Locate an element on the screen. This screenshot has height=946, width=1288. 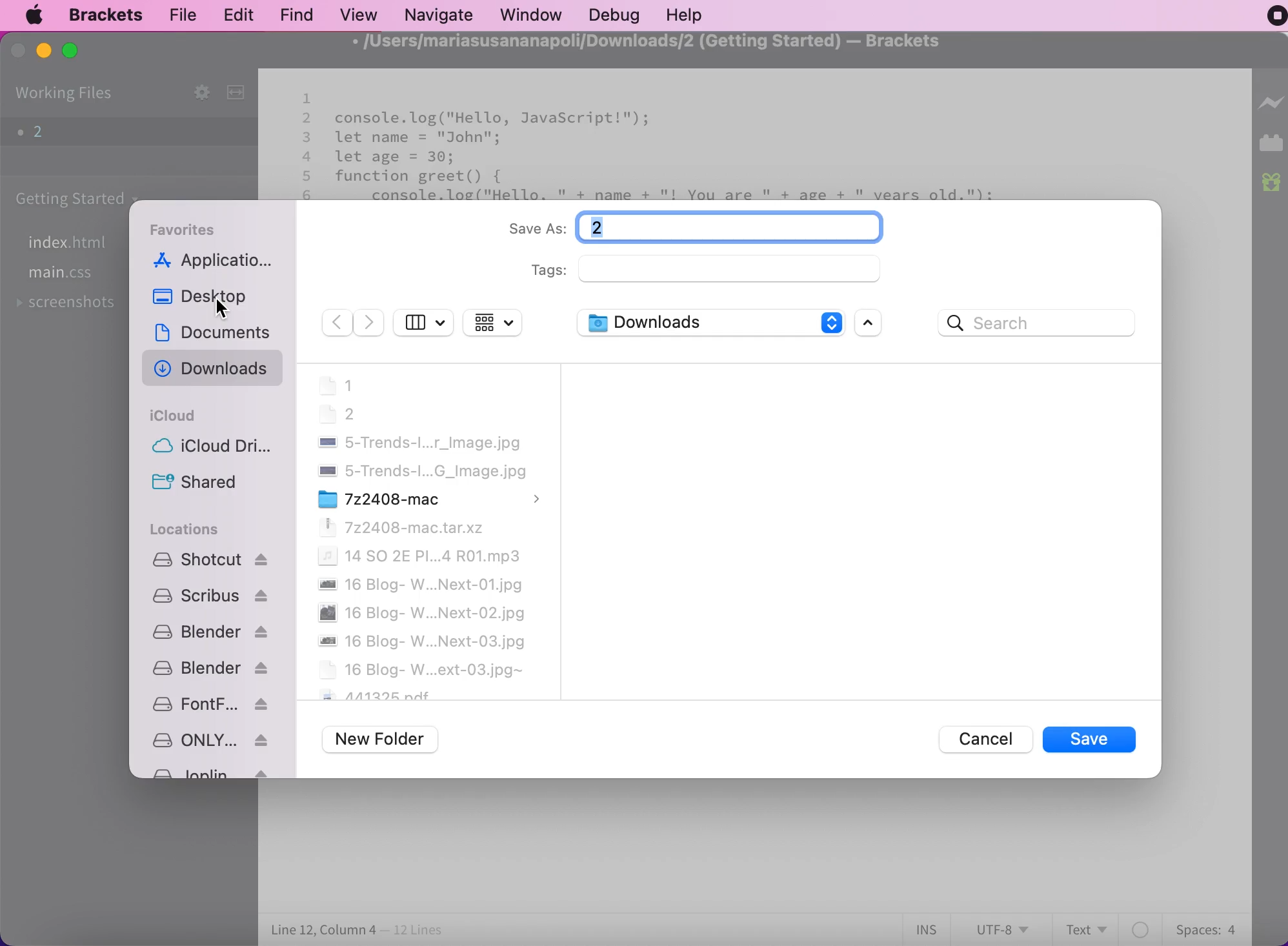
2 is located at coordinates (337, 414).